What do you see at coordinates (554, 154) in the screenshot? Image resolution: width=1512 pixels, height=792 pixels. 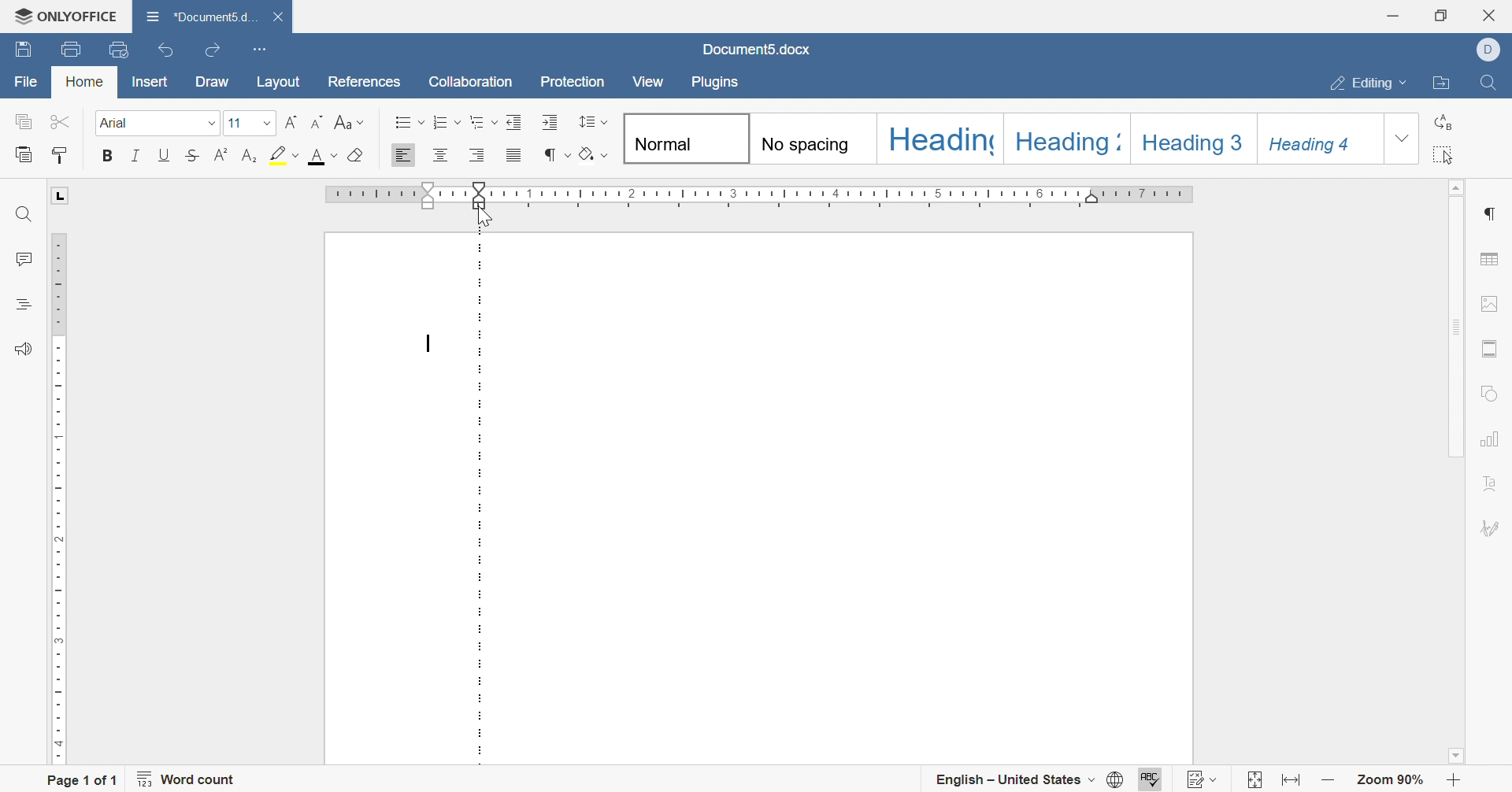 I see `nonprinting characters` at bounding box center [554, 154].